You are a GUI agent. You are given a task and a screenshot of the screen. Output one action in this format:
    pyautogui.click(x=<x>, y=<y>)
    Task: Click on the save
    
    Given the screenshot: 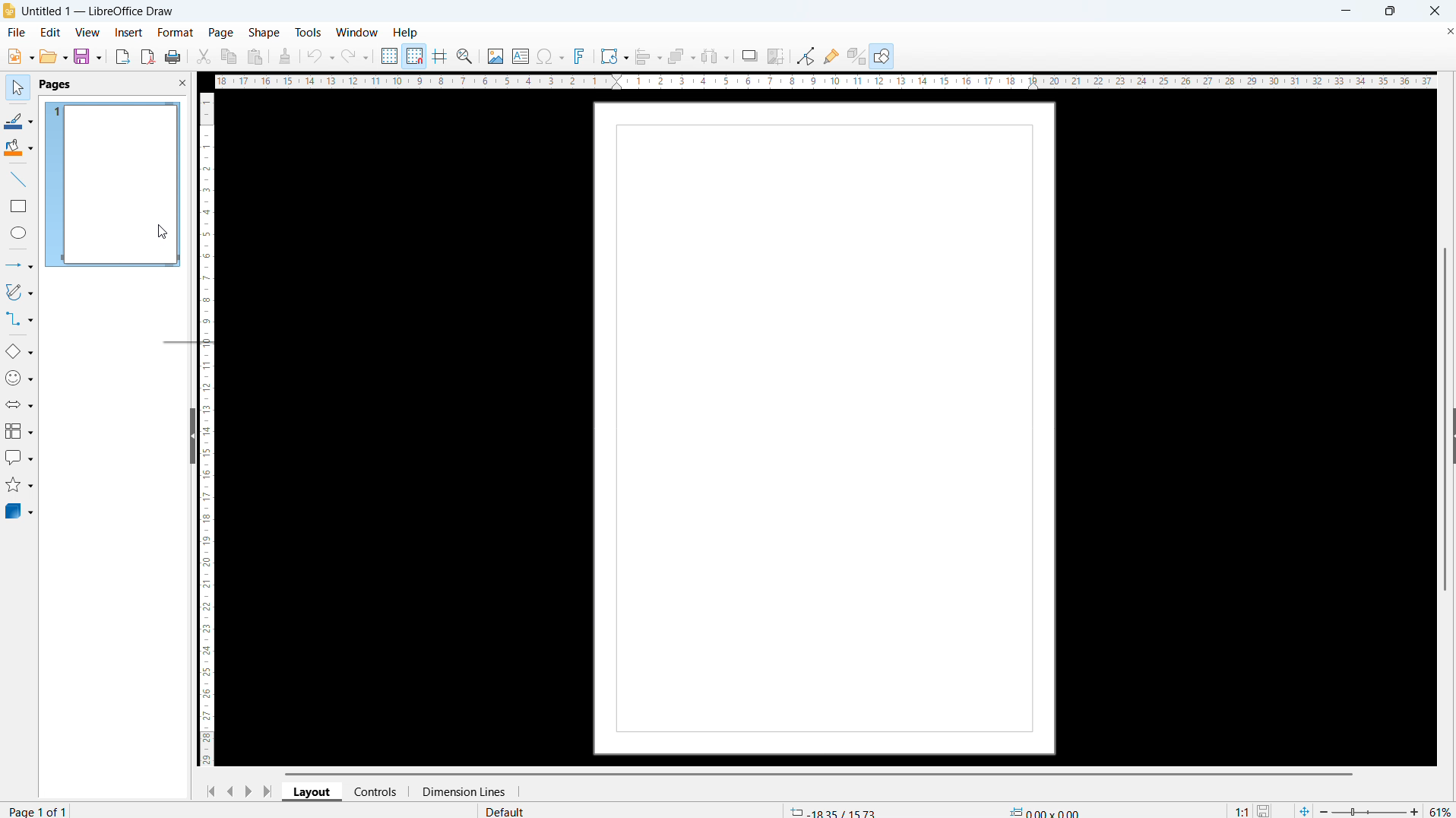 What is the action you would take?
    pyautogui.click(x=88, y=57)
    